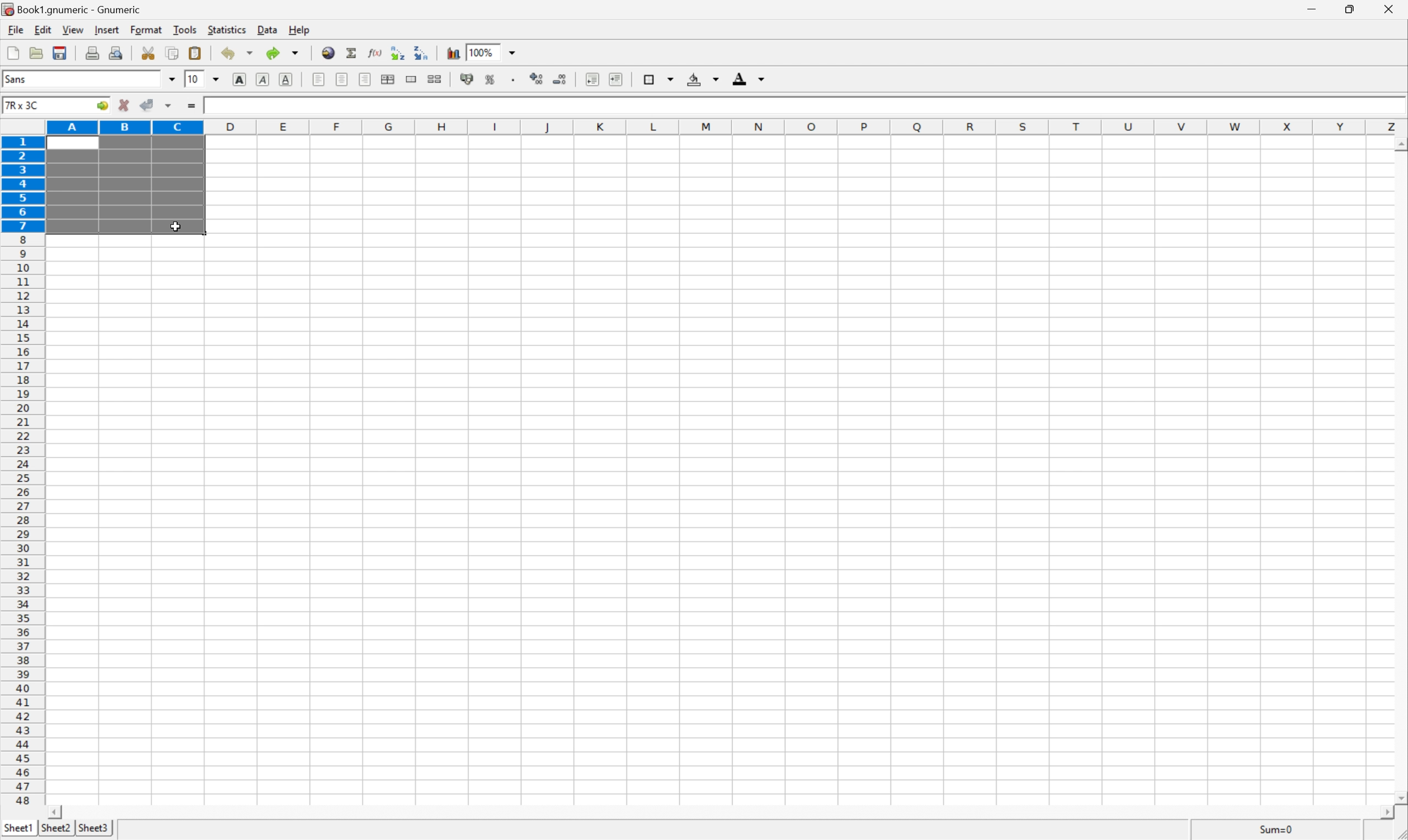  Describe the element at coordinates (327, 52) in the screenshot. I see `insert hyperlink` at that location.